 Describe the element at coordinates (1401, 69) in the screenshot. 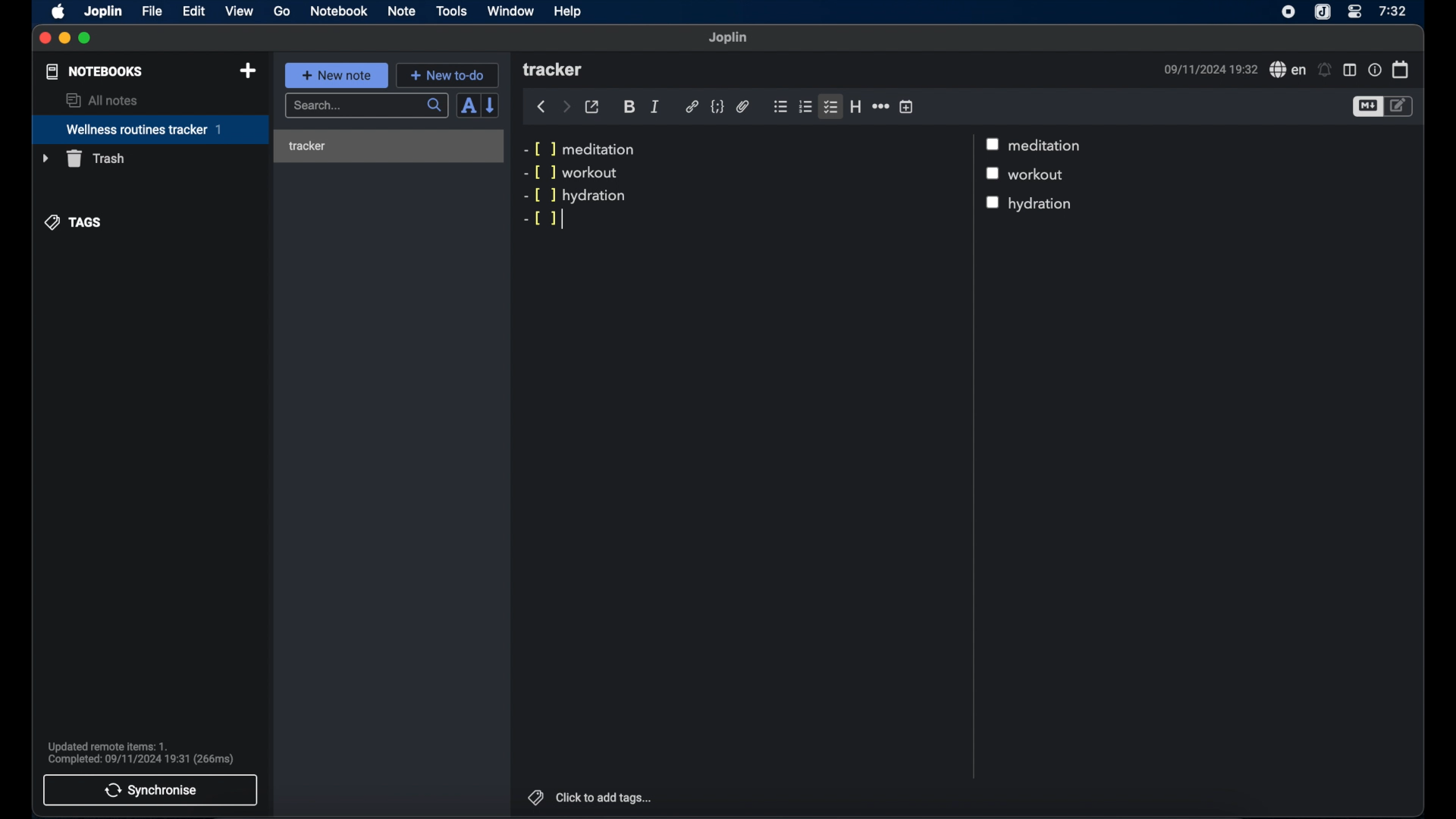

I see `calendar` at that location.